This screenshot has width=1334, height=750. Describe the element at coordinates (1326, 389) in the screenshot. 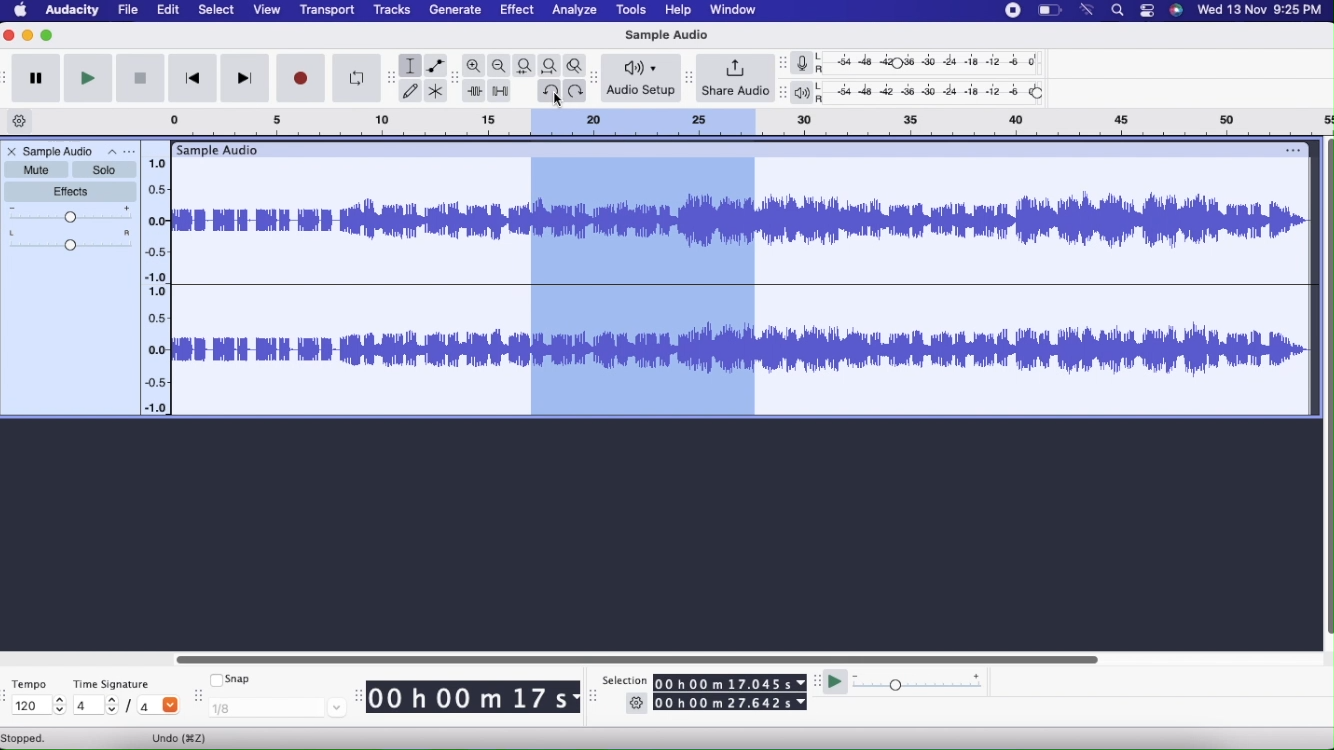

I see `vertical scroll bar` at that location.